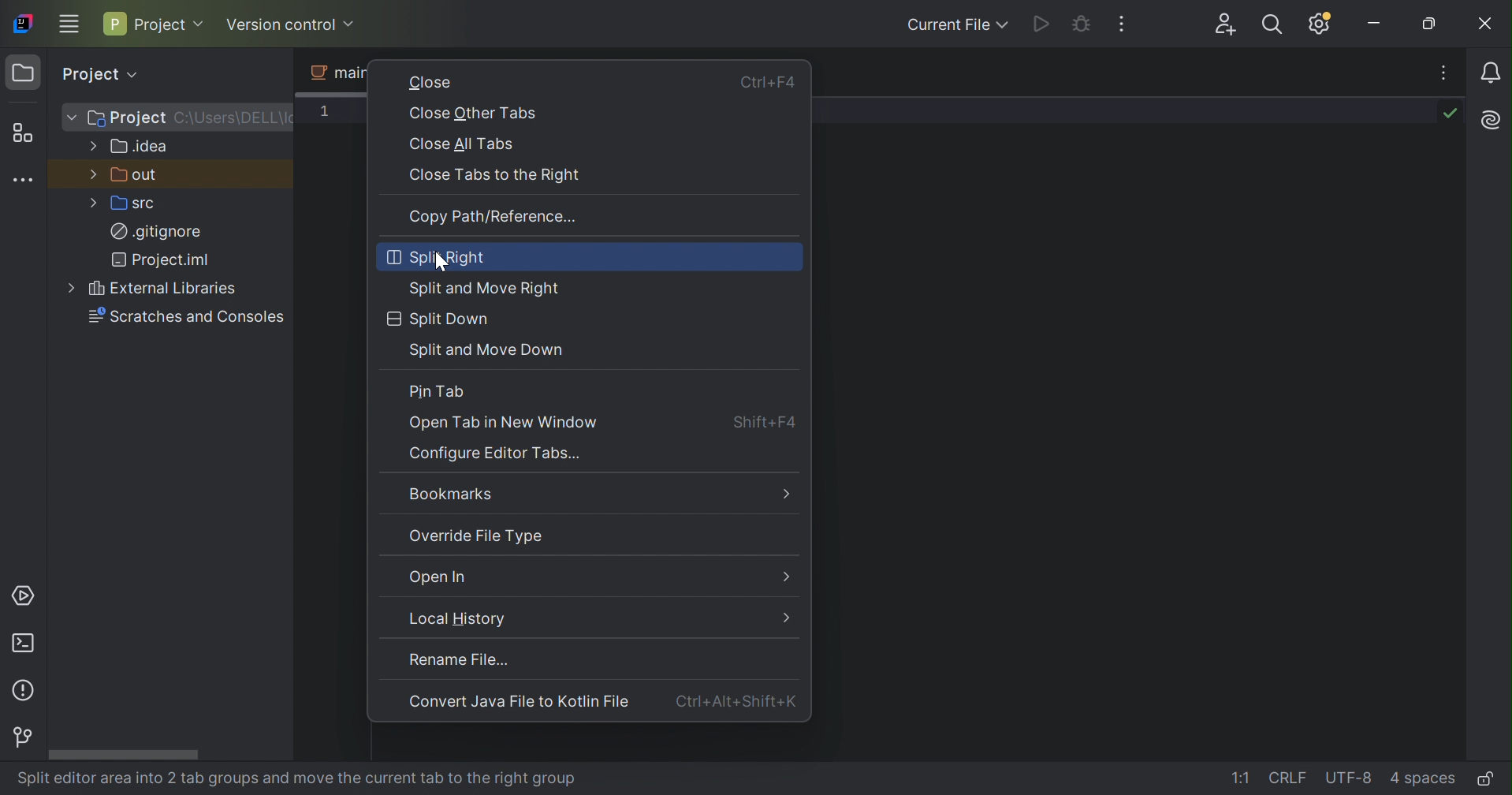 This screenshot has height=795, width=1512. What do you see at coordinates (736, 702) in the screenshot?
I see `Ctrl+Alt+Shift+K` at bounding box center [736, 702].